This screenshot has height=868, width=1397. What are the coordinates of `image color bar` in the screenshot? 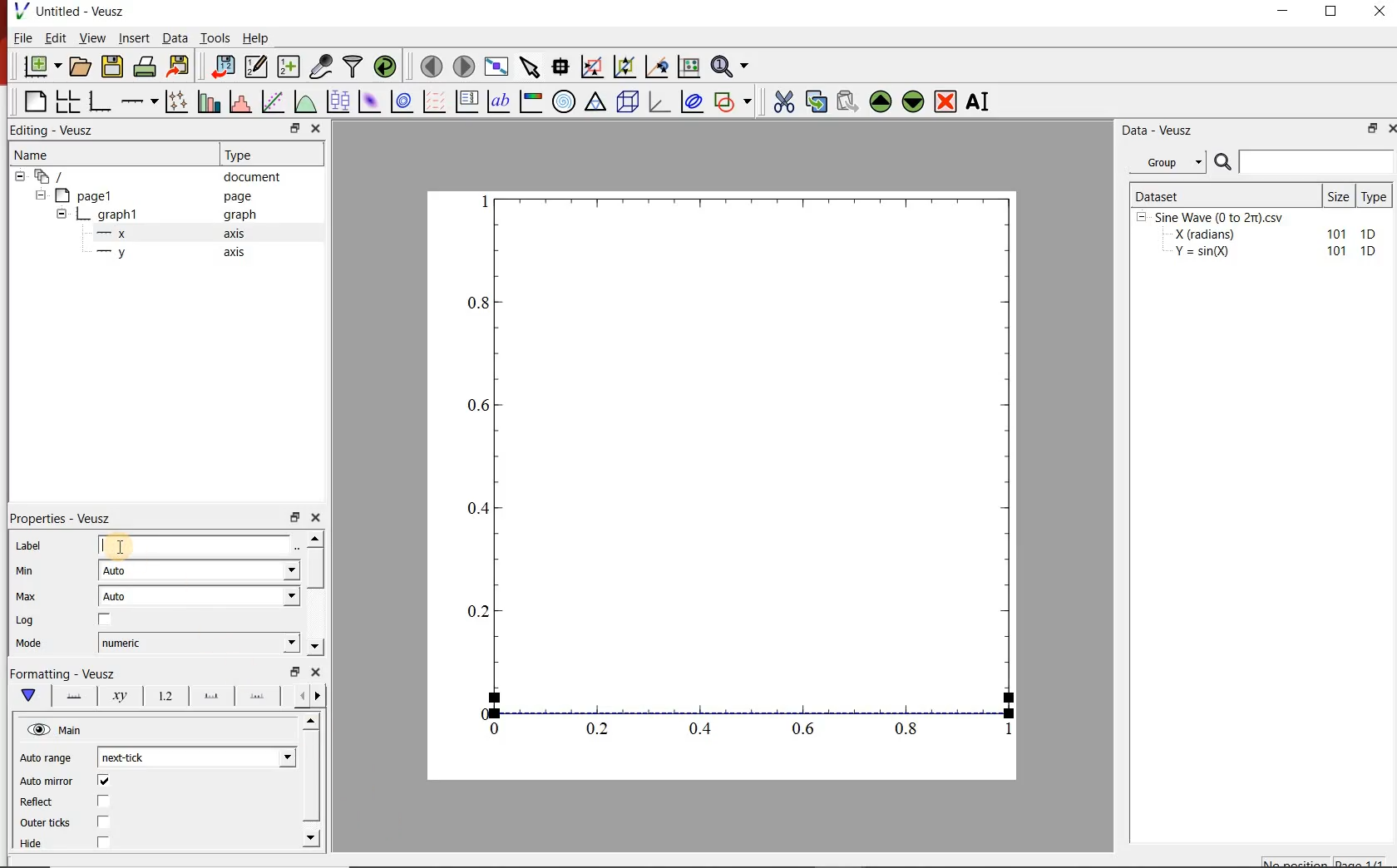 It's located at (531, 101).